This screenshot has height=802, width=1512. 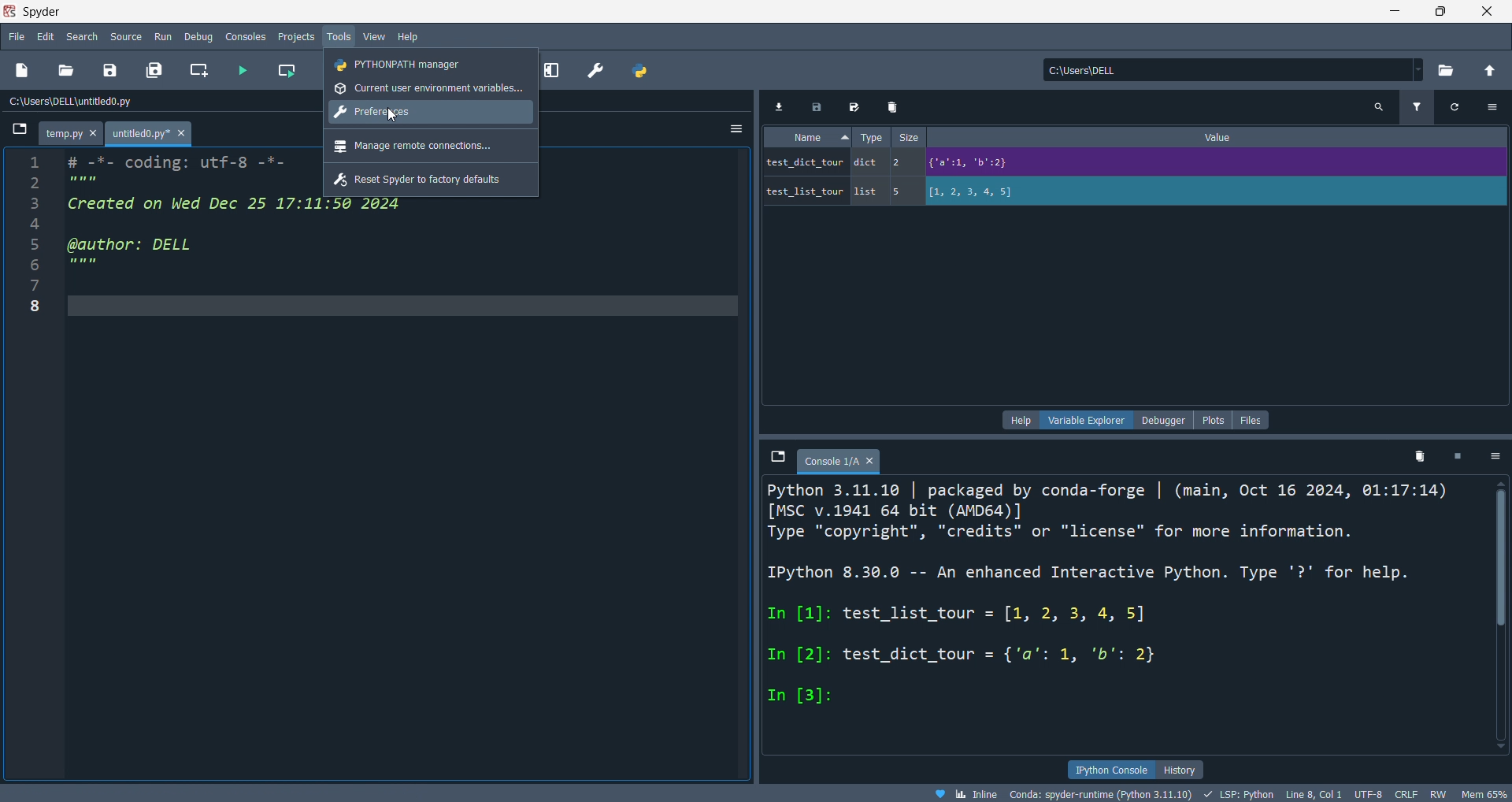 What do you see at coordinates (371, 37) in the screenshot?
I see `view` at bounding box center [371, 37].